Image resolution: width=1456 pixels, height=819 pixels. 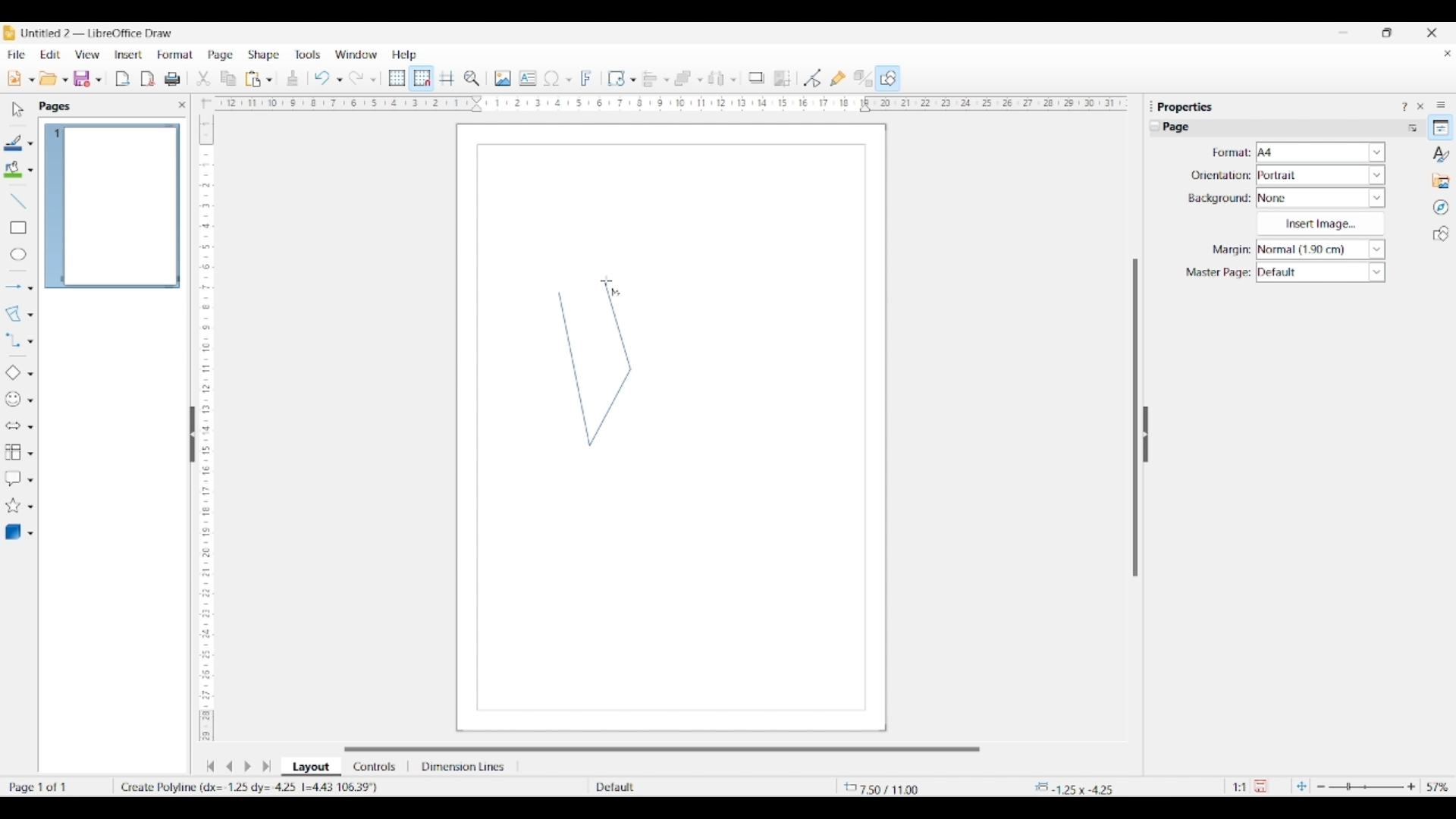 What do you see at coordinates (472, 79) in the screenshot?
I see `Zoom and pan` at bounding box center [472, 79].